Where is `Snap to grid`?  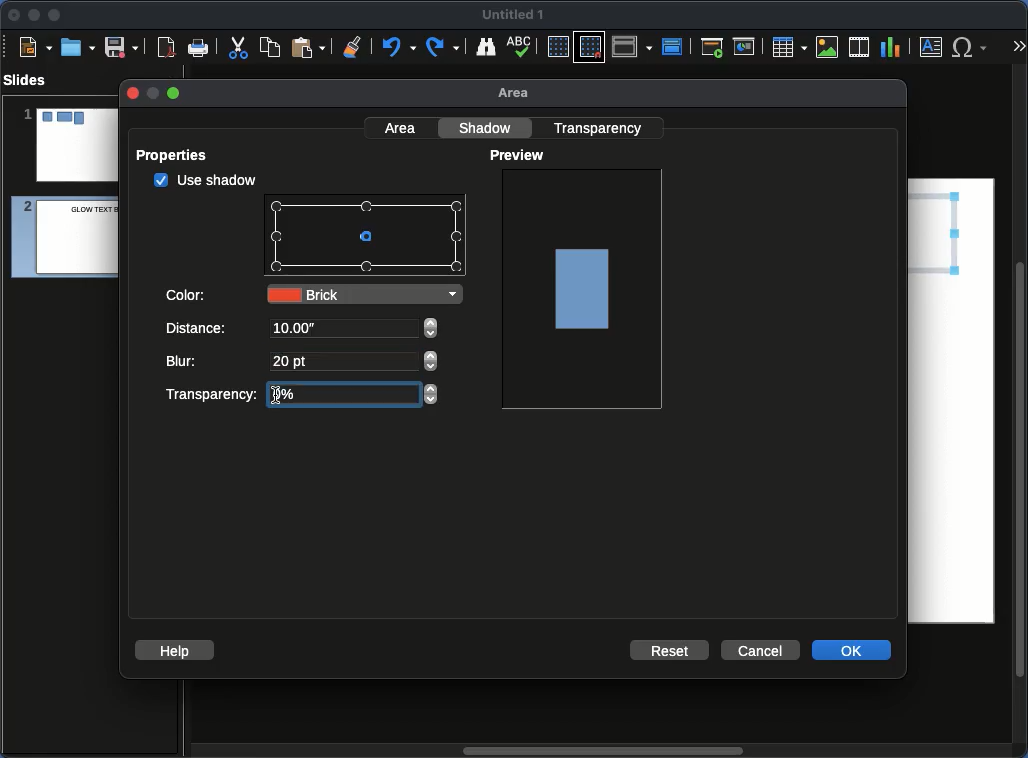
Snap to grid is located at coordinates (592, 46).